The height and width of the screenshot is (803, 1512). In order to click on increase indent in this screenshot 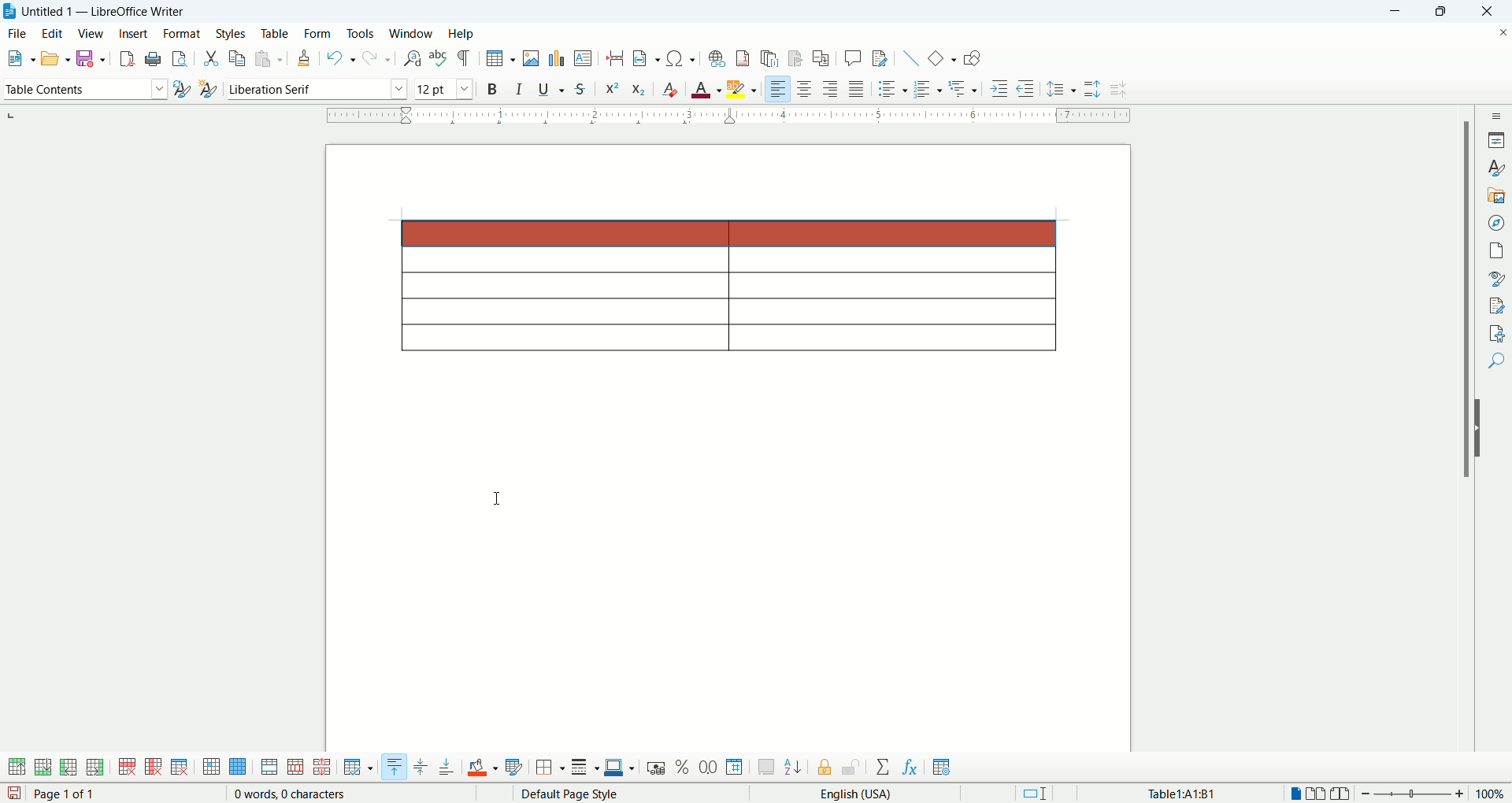, I will do `click(1002, 87)`.